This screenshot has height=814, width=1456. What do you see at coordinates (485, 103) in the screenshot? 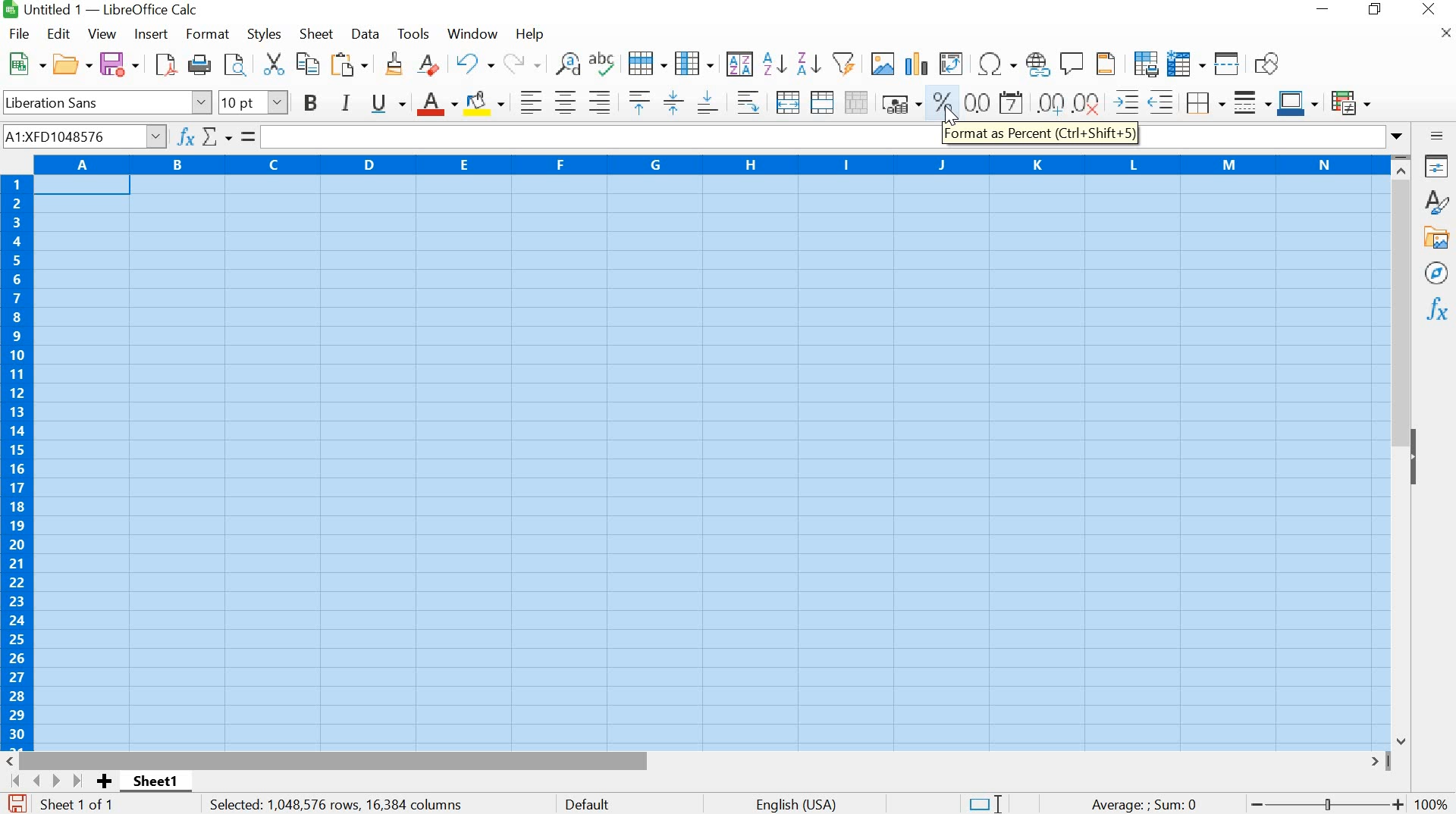
I see `Background Color` at bounding box center [485, 103].